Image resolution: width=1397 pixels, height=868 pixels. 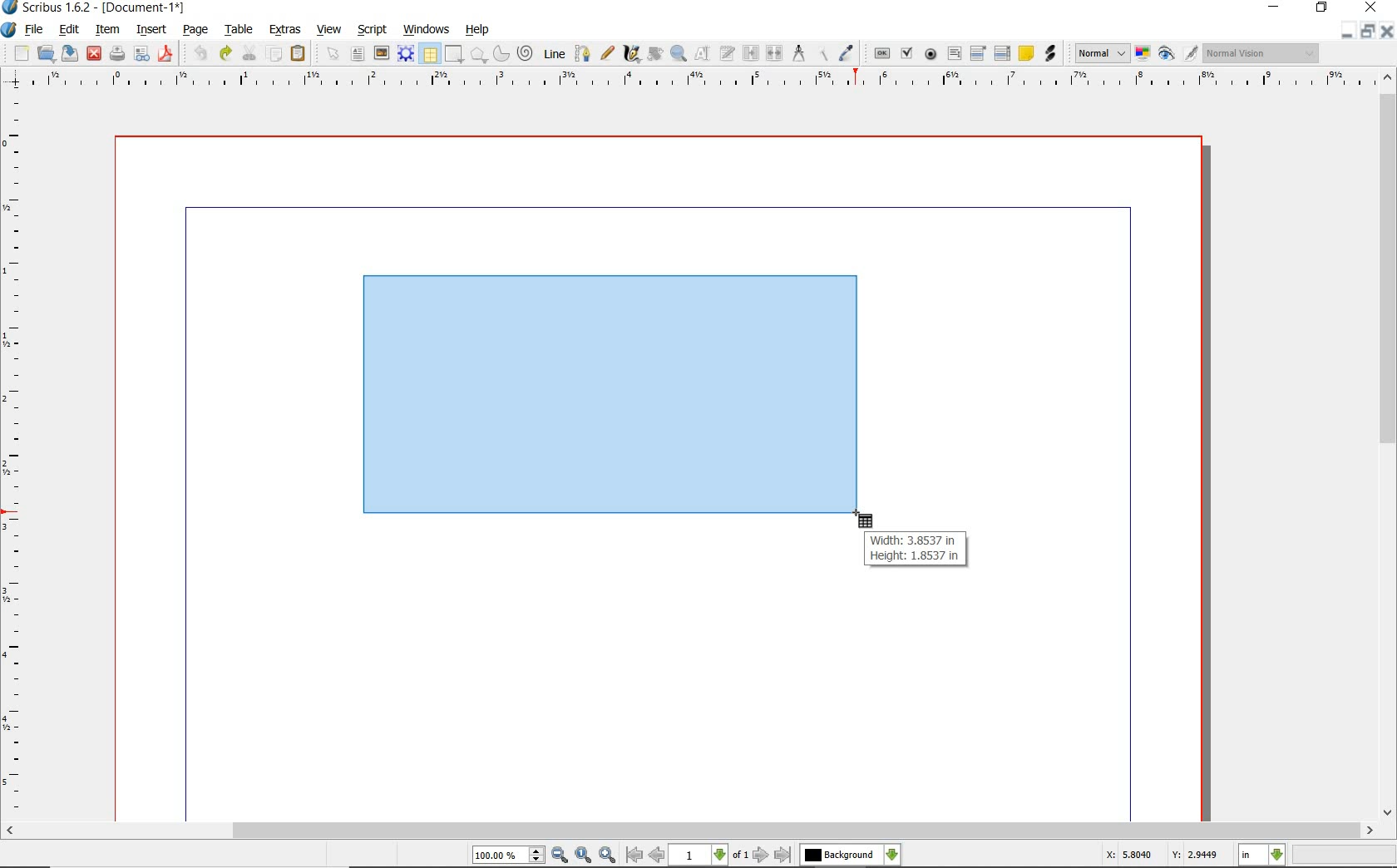 What do you see at coordinates (116, 53) in the screenshot?
I see `print` at bounding box center [116, 53].